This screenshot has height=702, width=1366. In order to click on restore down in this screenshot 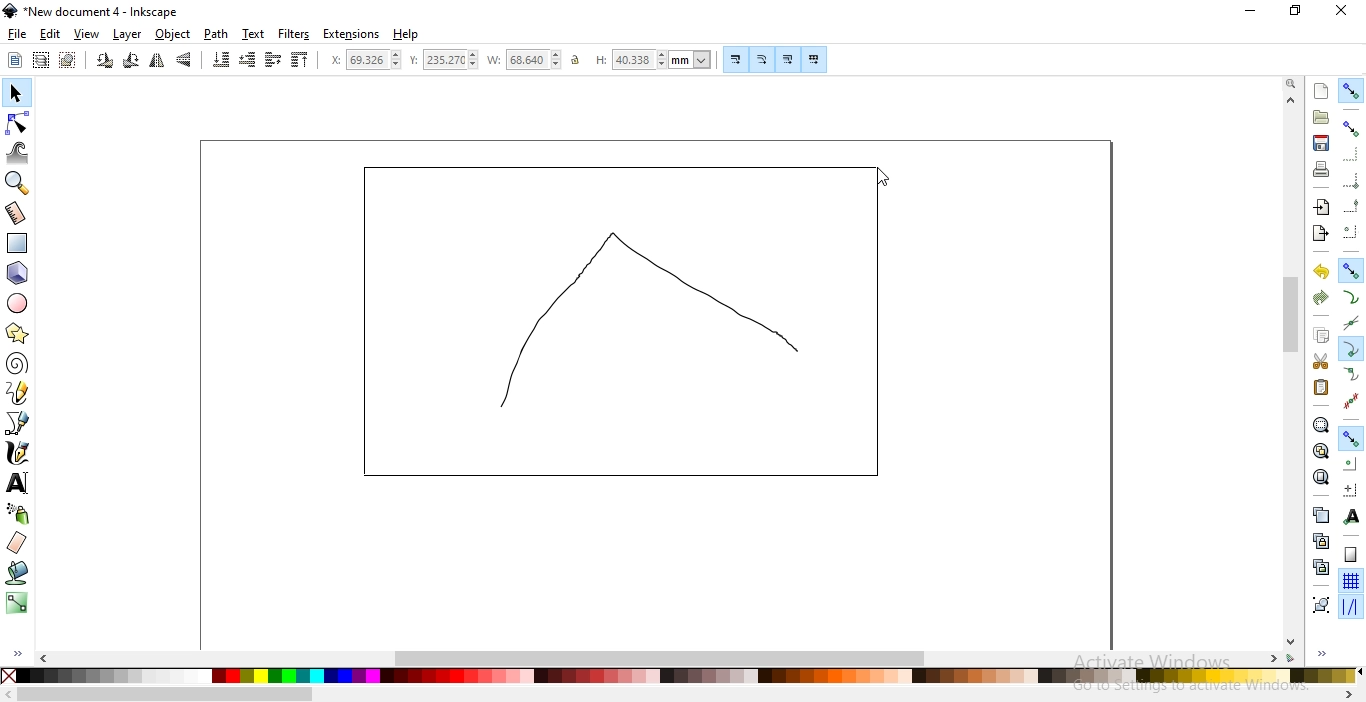, I will do `click(1296, 11)`.